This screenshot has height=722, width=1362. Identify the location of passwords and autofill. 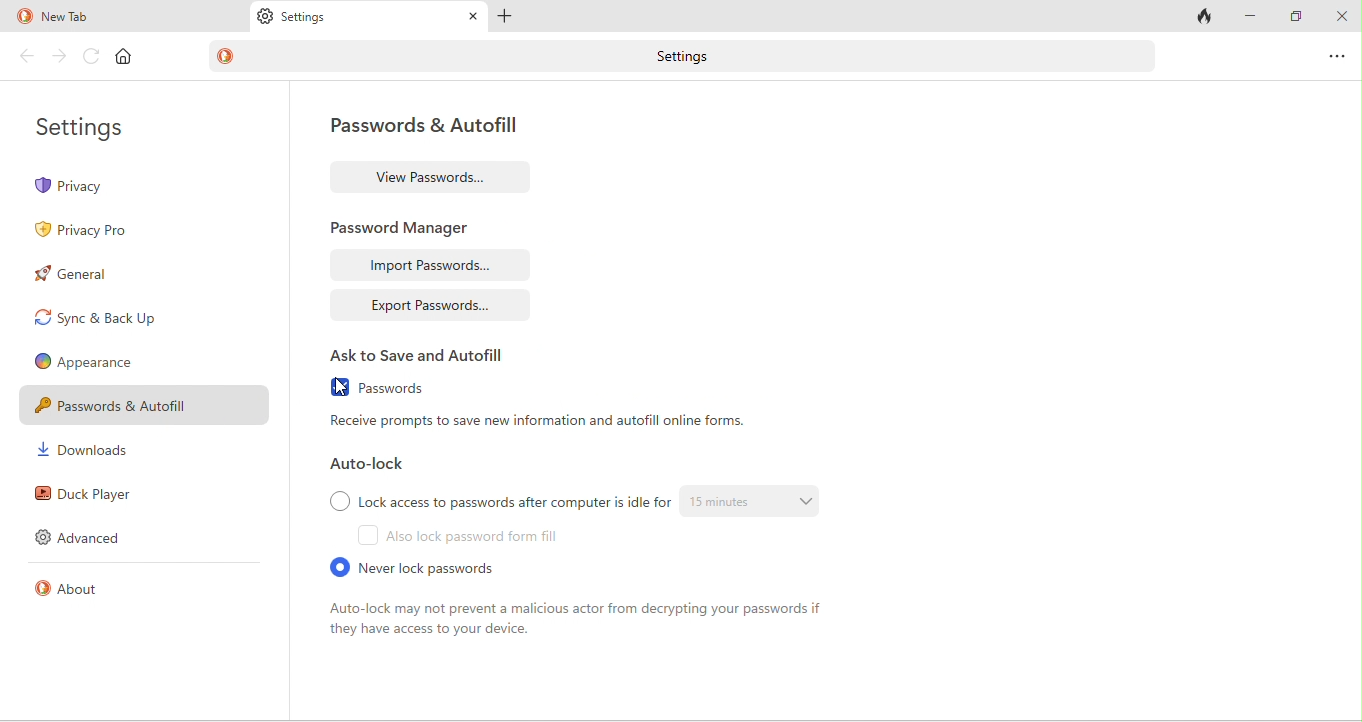
(139, 403).